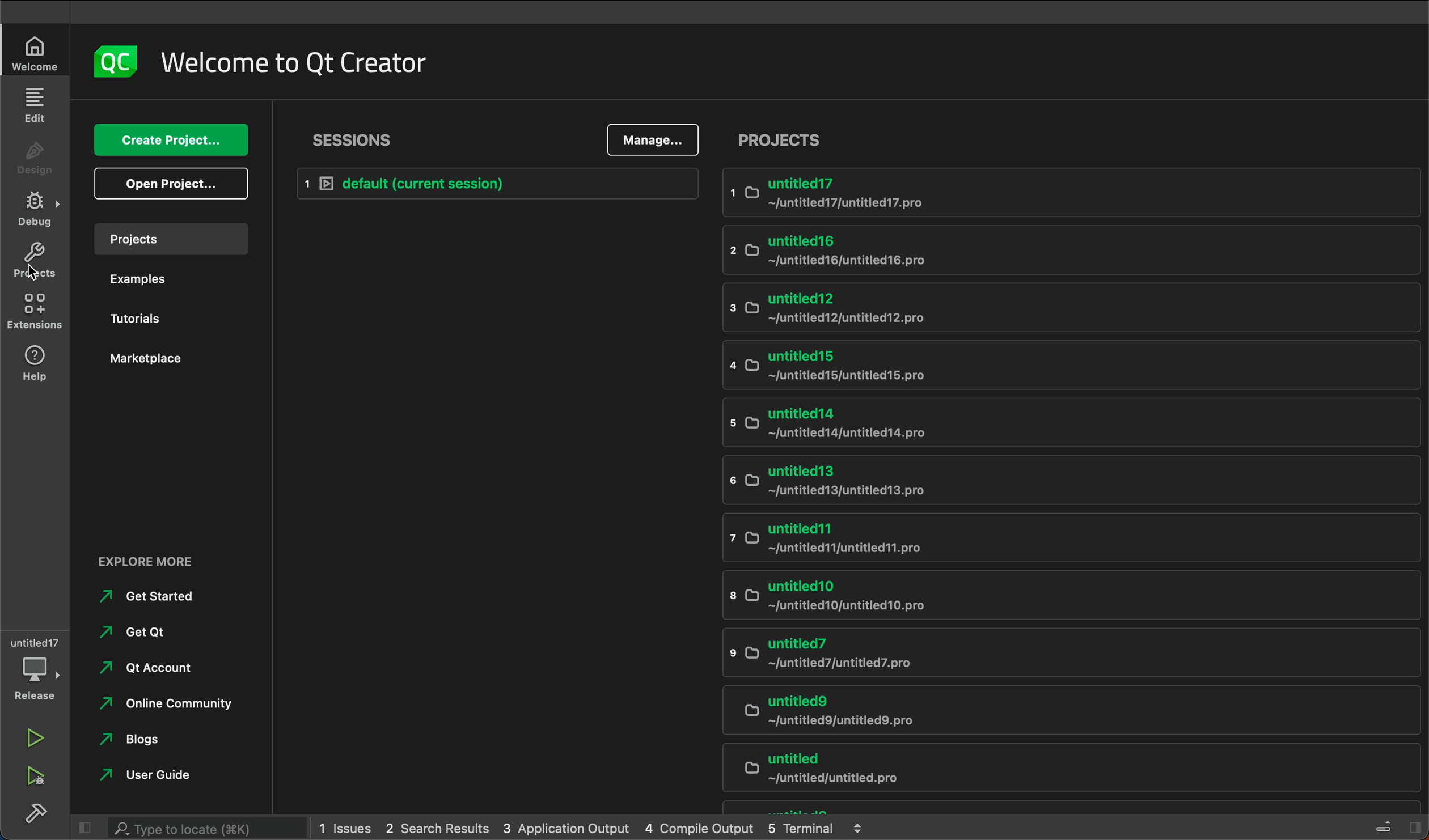  Describe the element at coordinates (37, 206) in the screenshot. I see `debug` at that location.